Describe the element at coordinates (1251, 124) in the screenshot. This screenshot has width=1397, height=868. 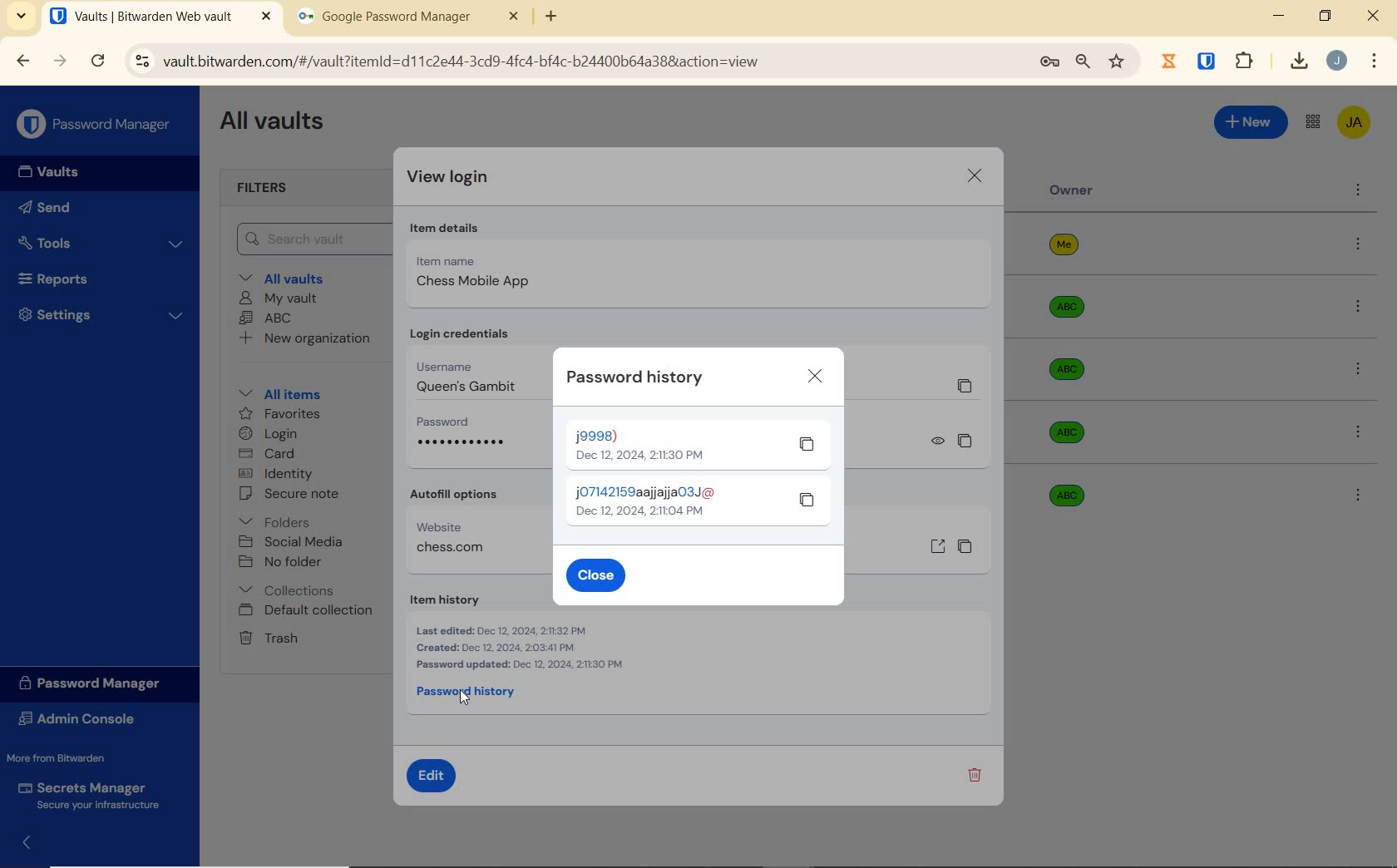
I see `New` at that location.